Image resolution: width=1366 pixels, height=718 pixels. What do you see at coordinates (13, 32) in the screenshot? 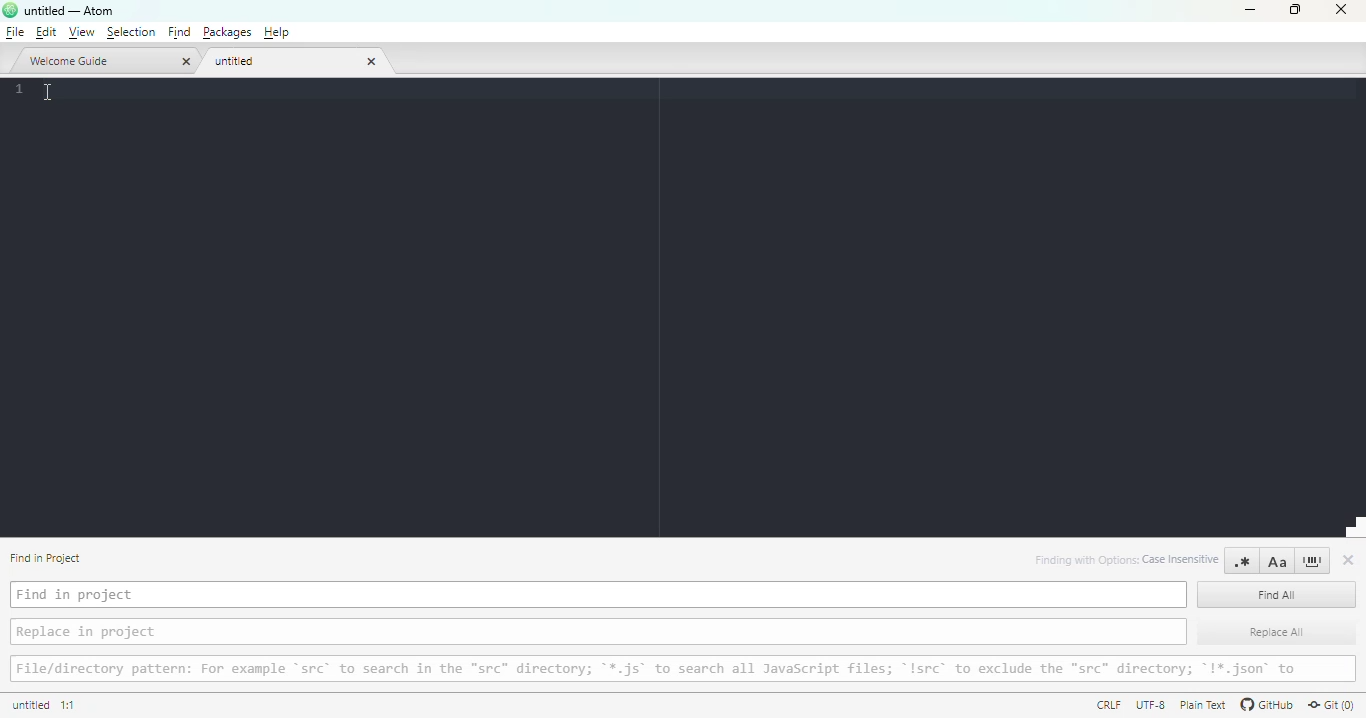
I see `file` at bounding box center [13, 32].